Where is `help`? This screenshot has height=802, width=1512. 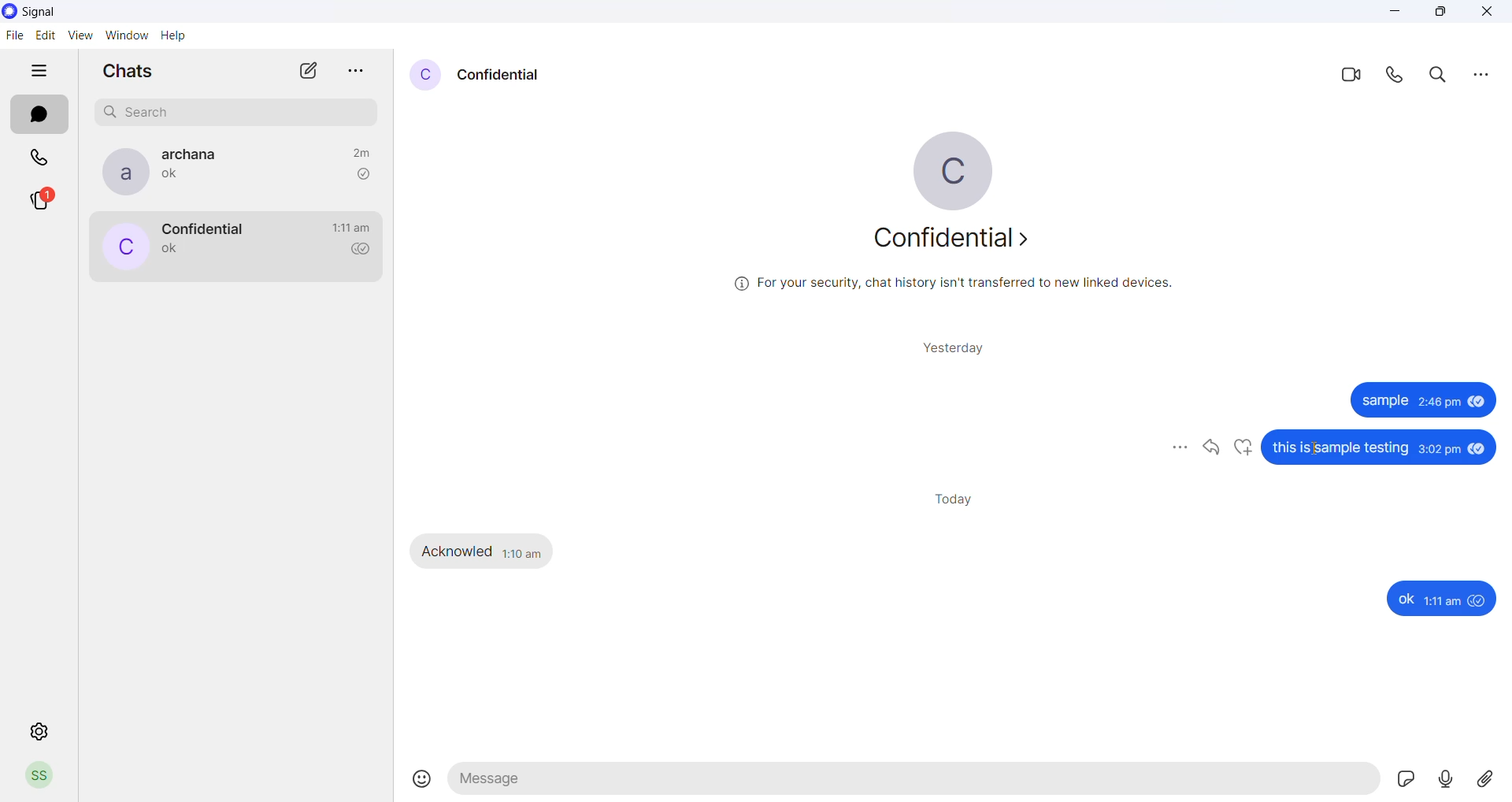 help is located at coordinates (177, 37).